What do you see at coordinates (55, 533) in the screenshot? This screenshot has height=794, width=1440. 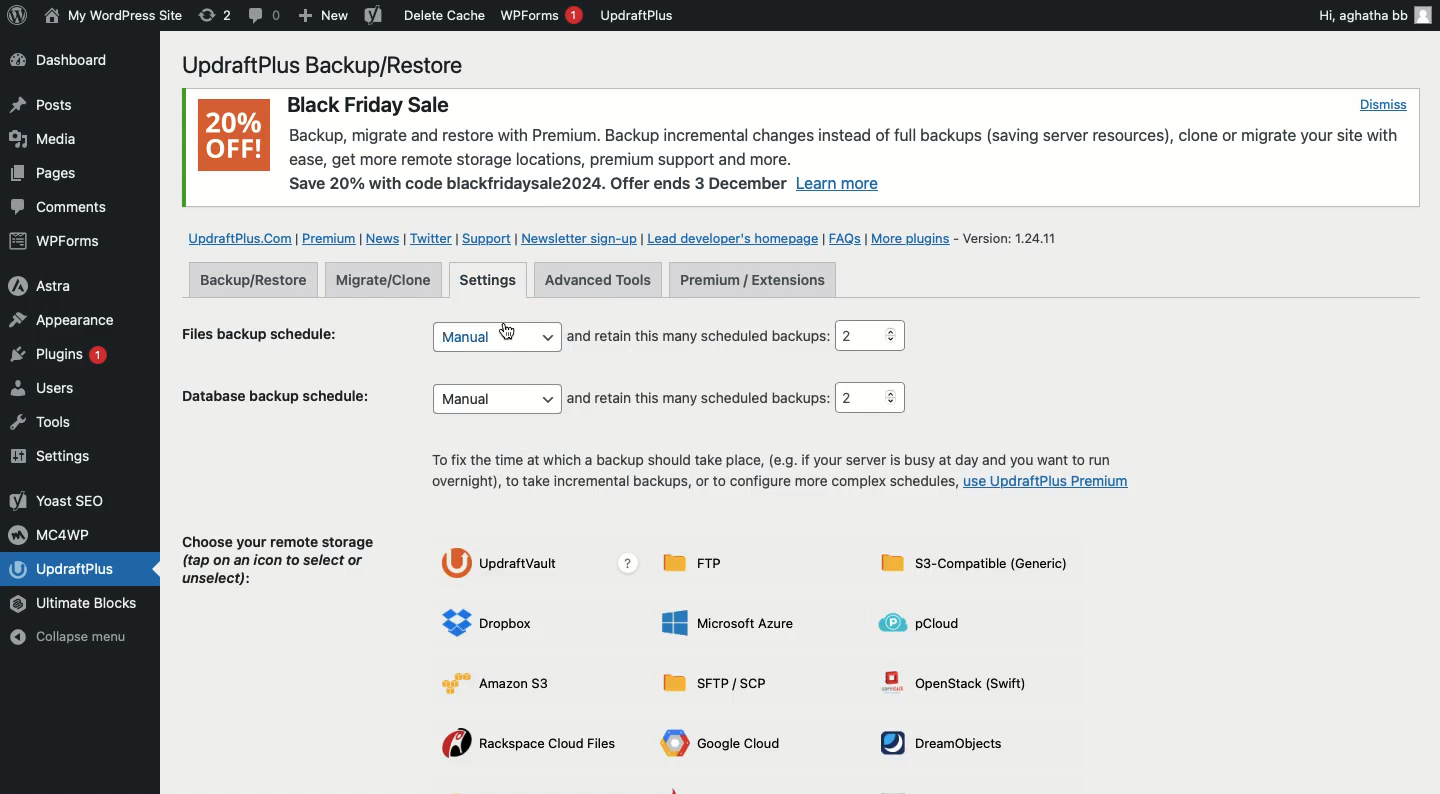 I see `MC4WP` at bounding box center [55, 533].